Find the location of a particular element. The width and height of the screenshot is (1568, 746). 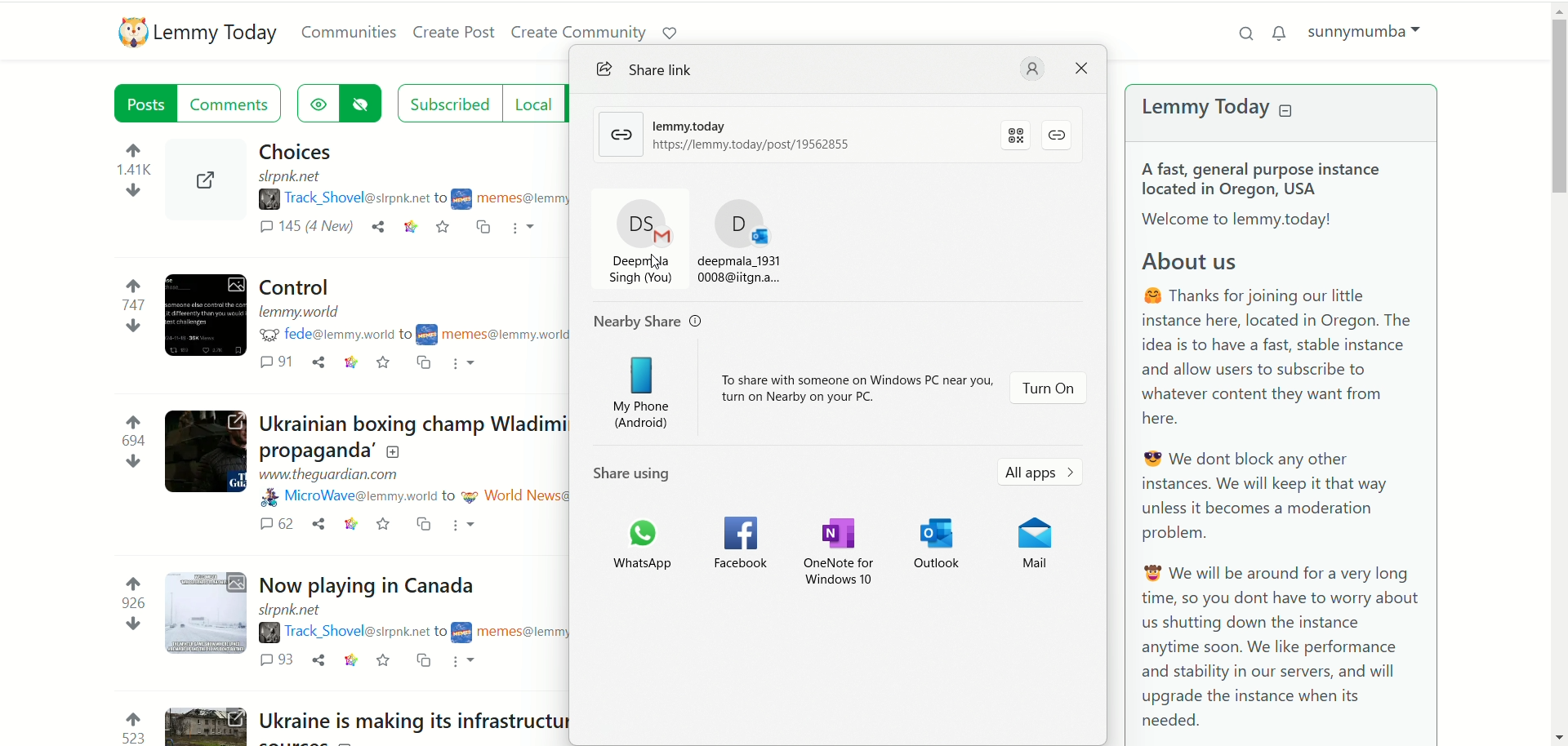

copy link is located at coordinates (1057, 136).